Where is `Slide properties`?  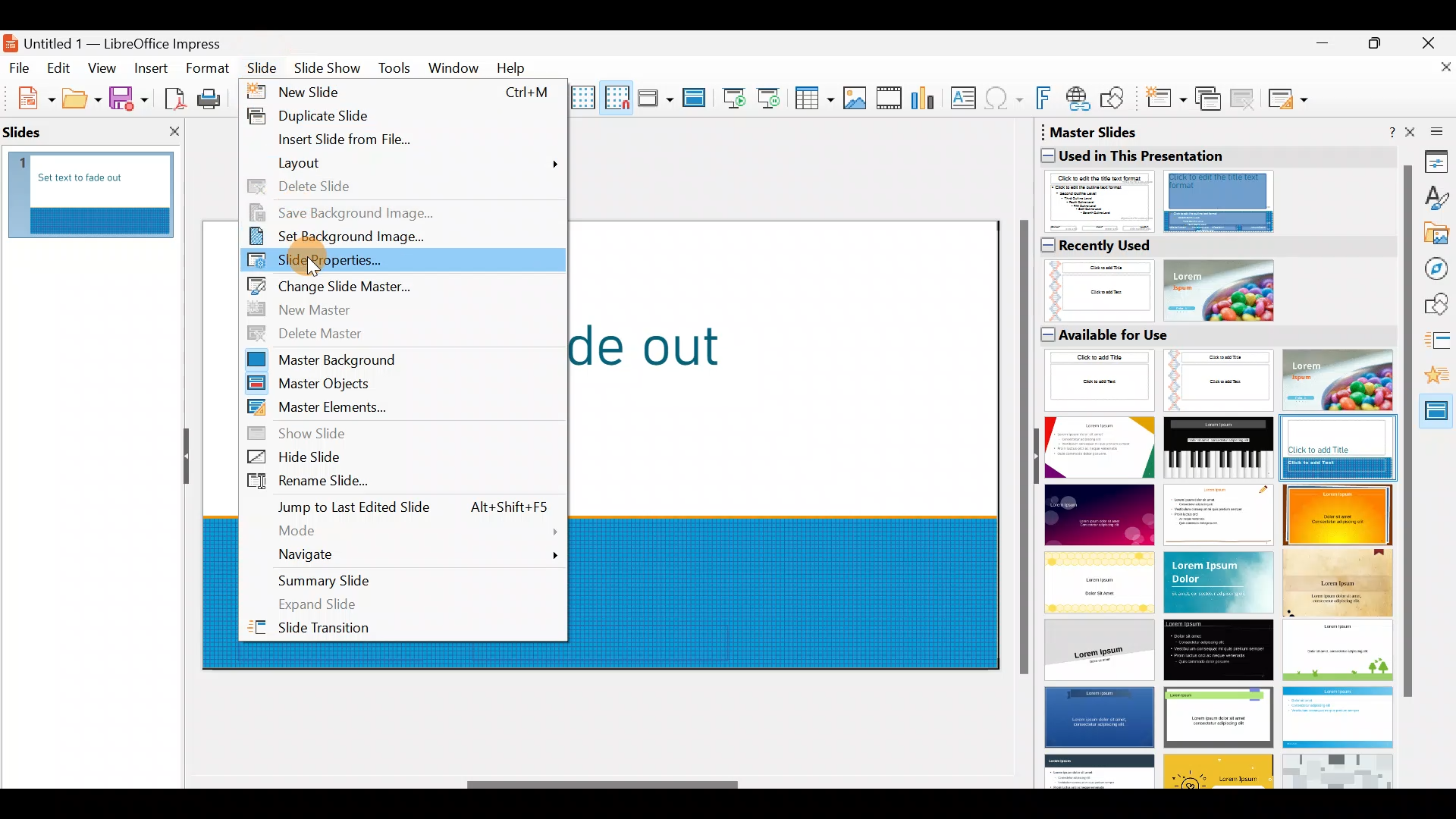 Slide properties is located at coordinates (406, 262).